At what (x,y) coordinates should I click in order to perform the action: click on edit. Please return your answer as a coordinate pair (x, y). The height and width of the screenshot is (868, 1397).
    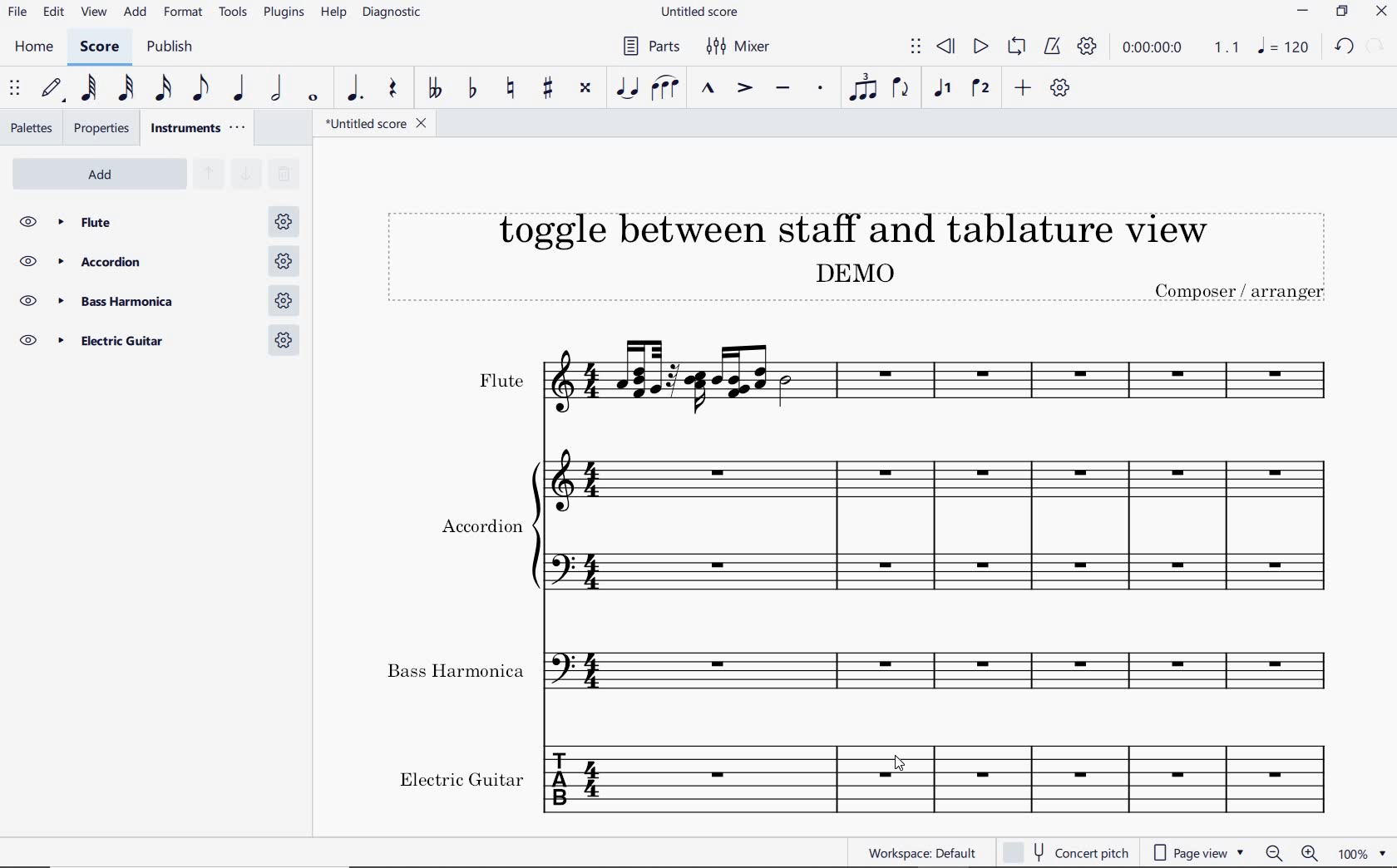
    Looking at the image, I should click on (52, 15).